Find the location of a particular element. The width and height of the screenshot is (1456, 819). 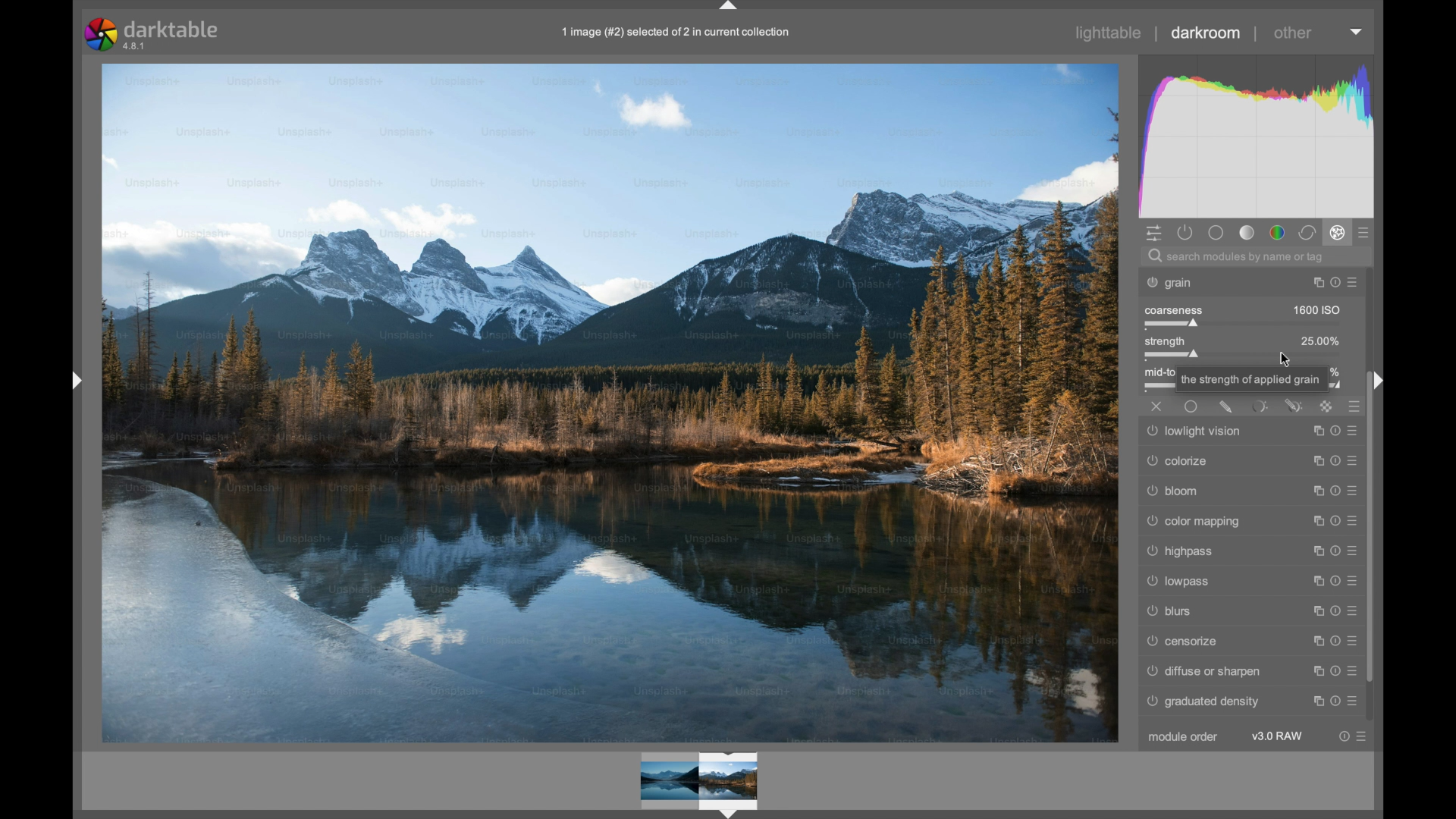

presets is located at coordinates (1355, 281).